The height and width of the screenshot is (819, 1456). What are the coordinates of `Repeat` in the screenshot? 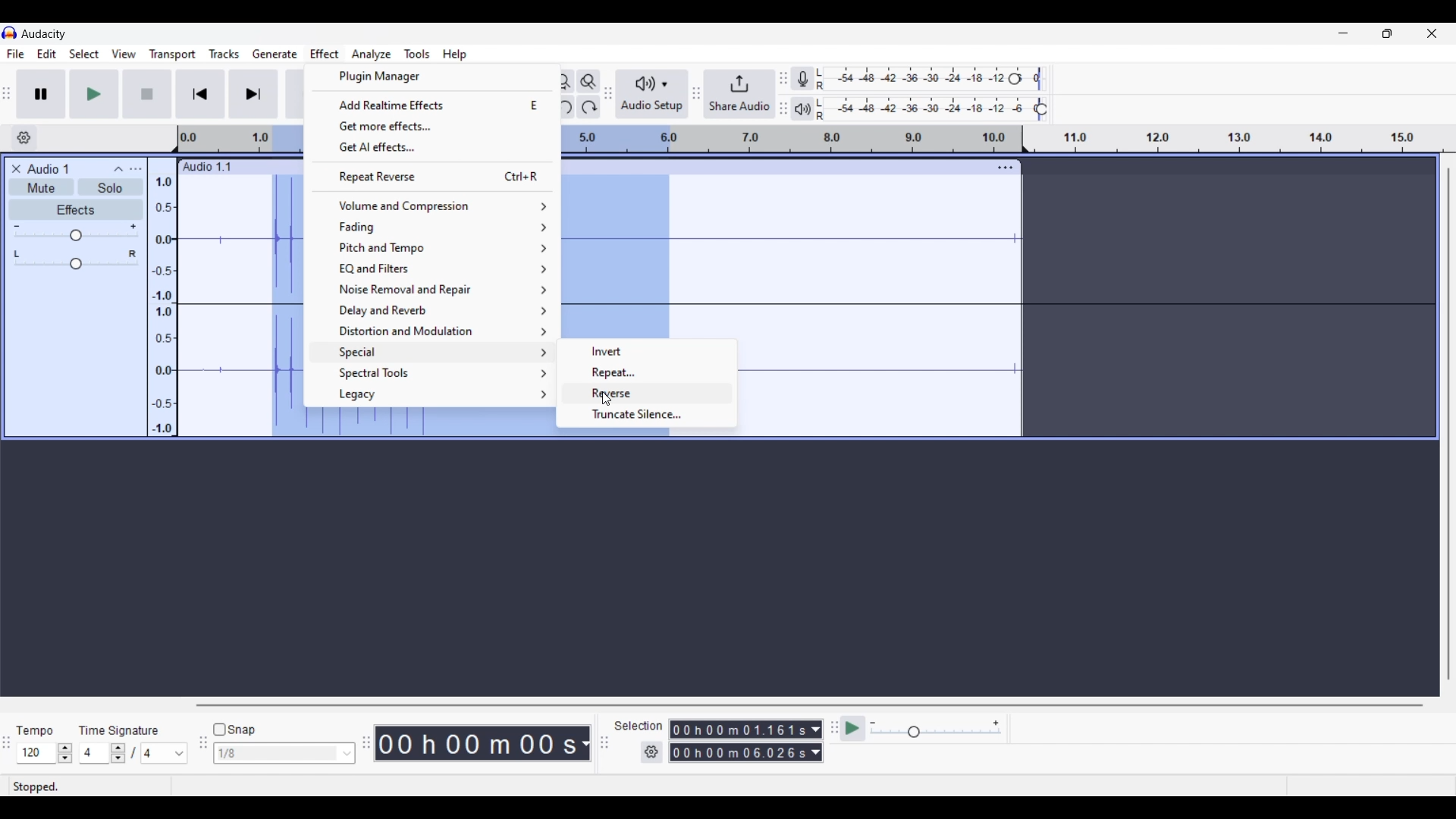 It's located at (648, 372).